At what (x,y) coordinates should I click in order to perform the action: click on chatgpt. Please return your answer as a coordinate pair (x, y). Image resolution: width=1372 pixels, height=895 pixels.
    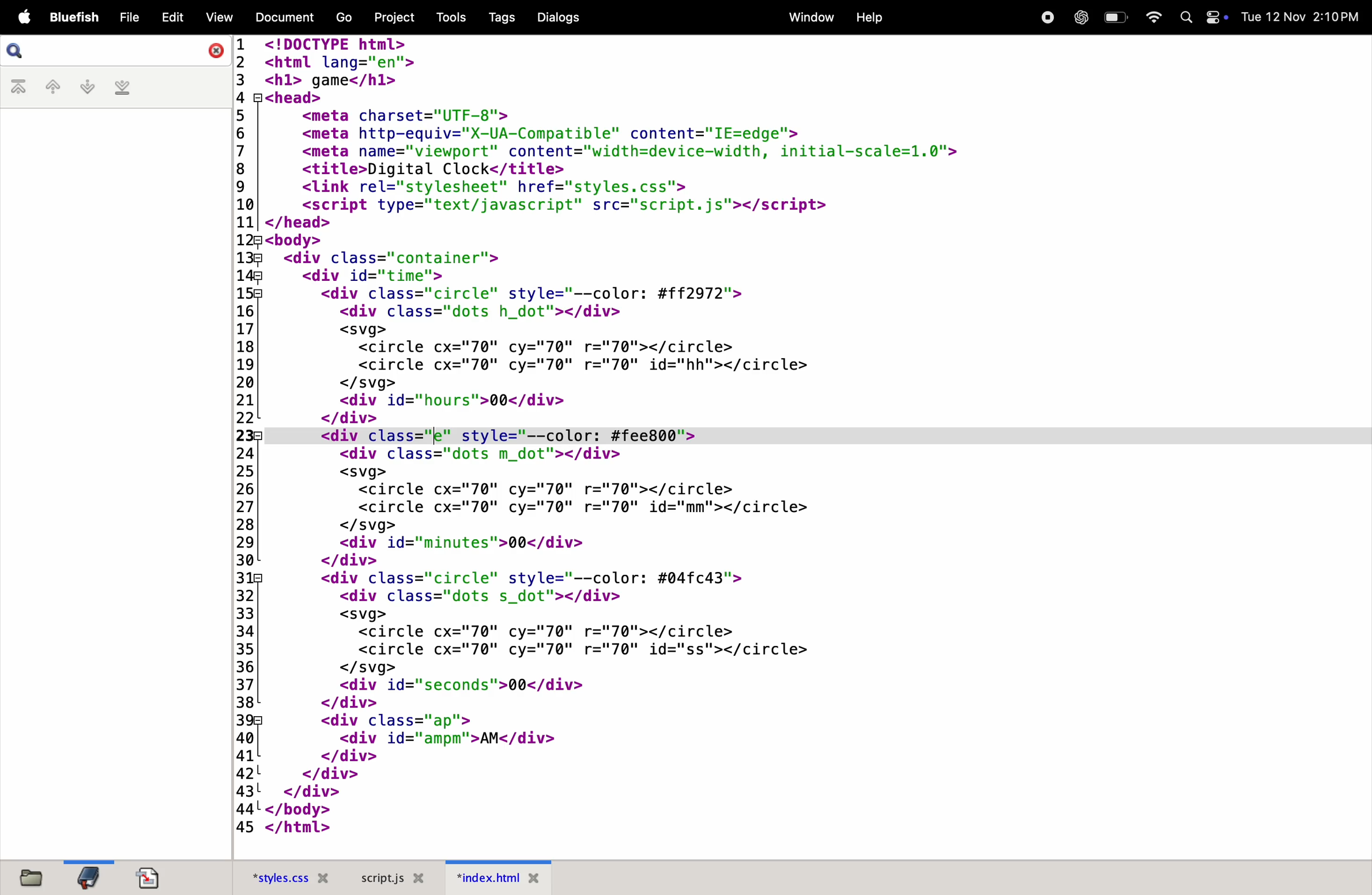
    Looking at the image, I should click on (1077, 17).